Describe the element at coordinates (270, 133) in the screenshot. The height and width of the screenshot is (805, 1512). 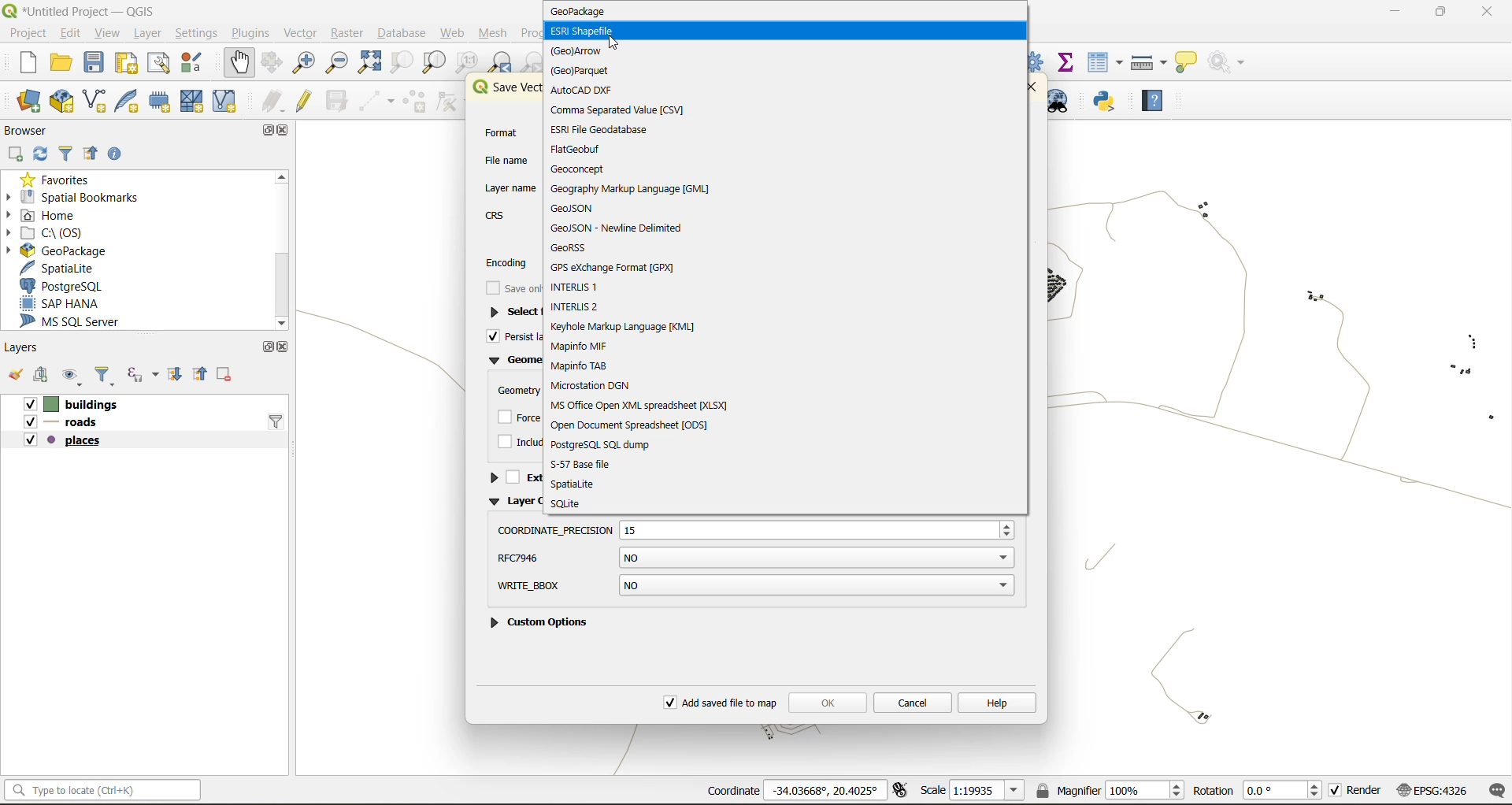
I see `maximize` at that location.